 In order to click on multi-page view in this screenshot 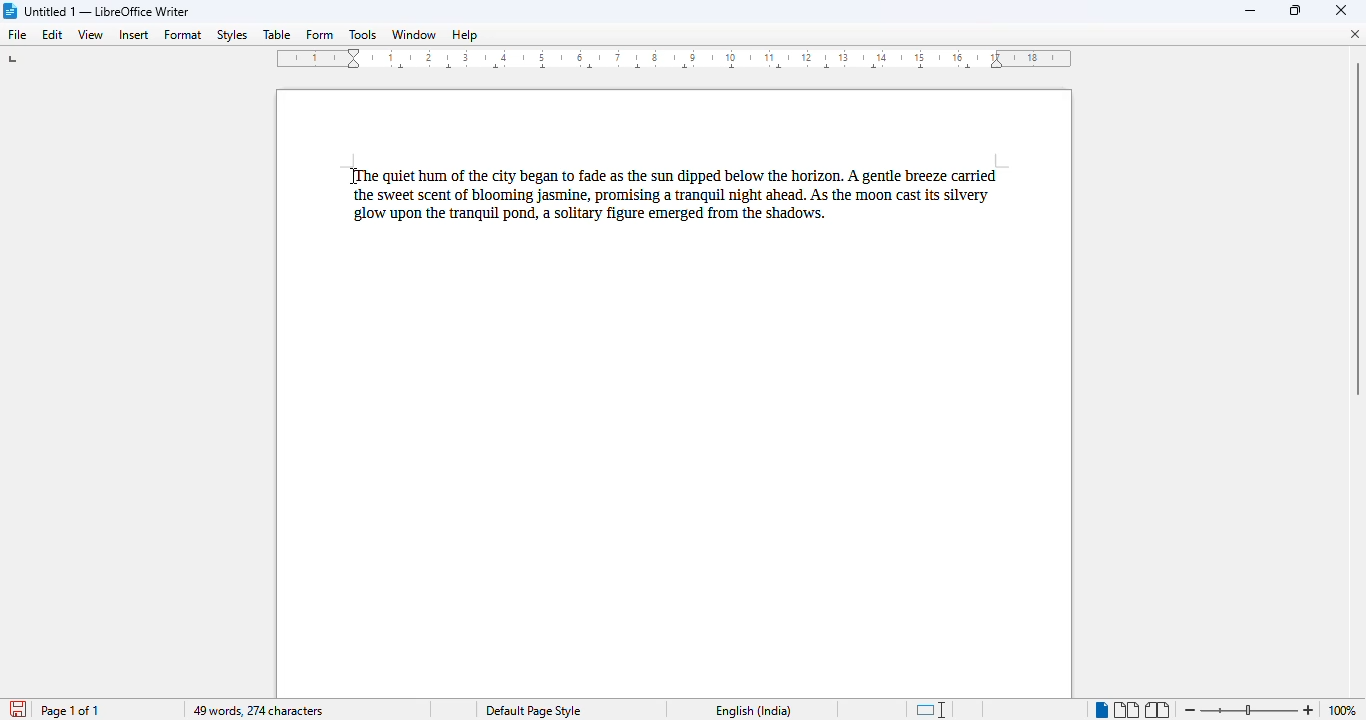, I will do `click(1126, 710)`.